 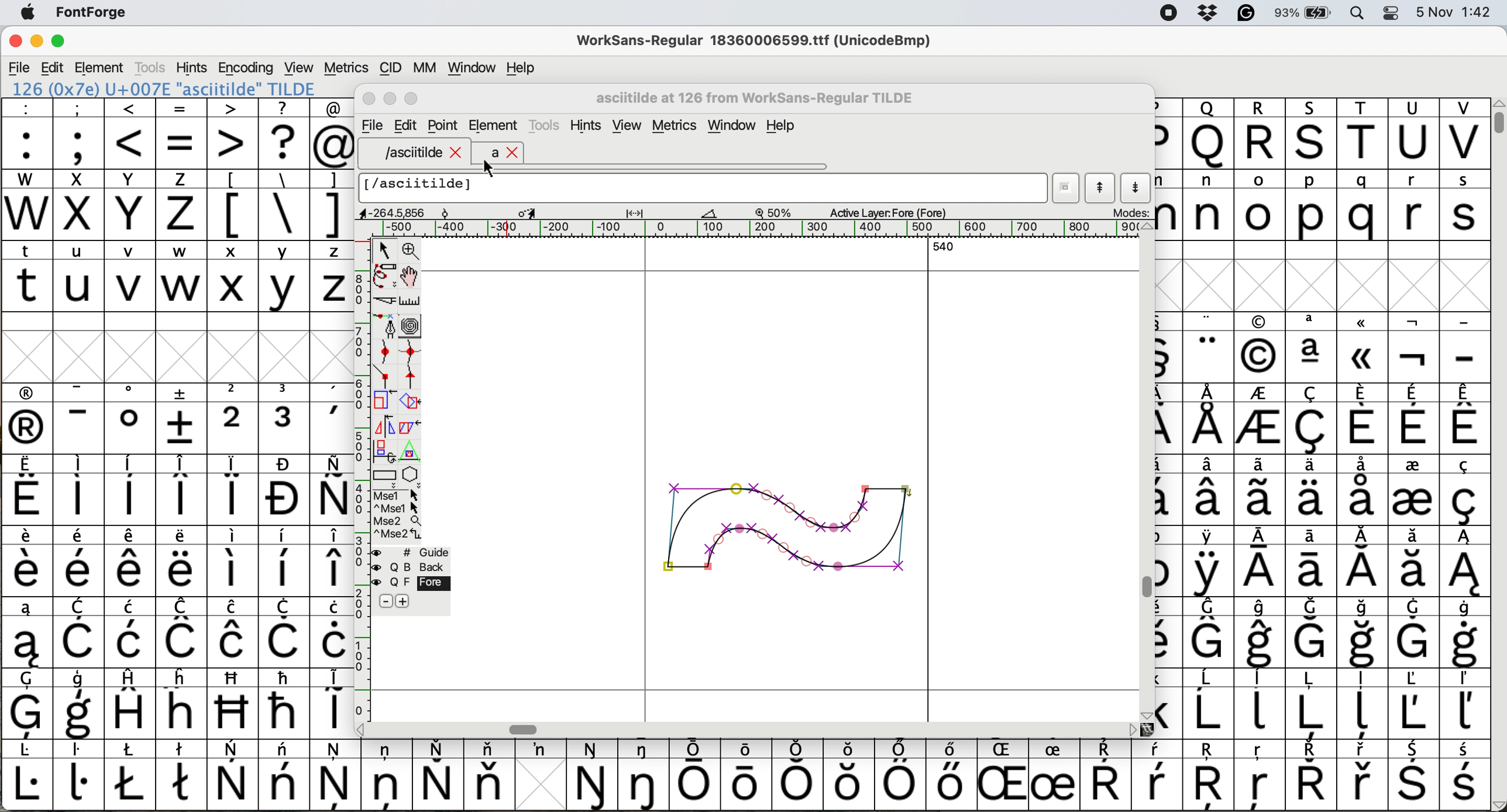 I want to click on symbol, so click(x=82, y=634).